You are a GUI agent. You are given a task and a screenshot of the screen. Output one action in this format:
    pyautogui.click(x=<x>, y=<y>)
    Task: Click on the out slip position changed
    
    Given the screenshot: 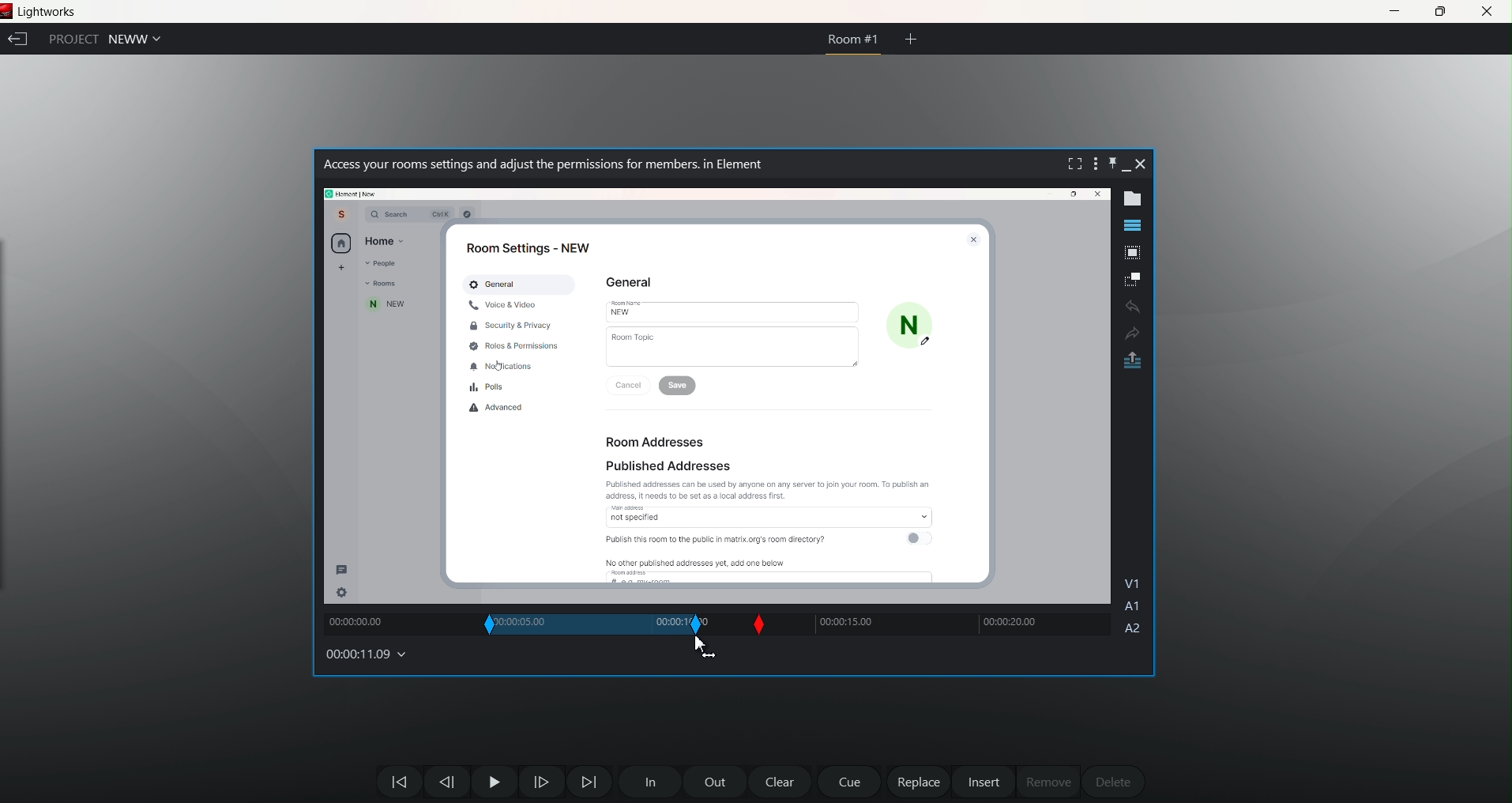 What is the action you would take?
    pyautogui.click(x=698, y=624)
    